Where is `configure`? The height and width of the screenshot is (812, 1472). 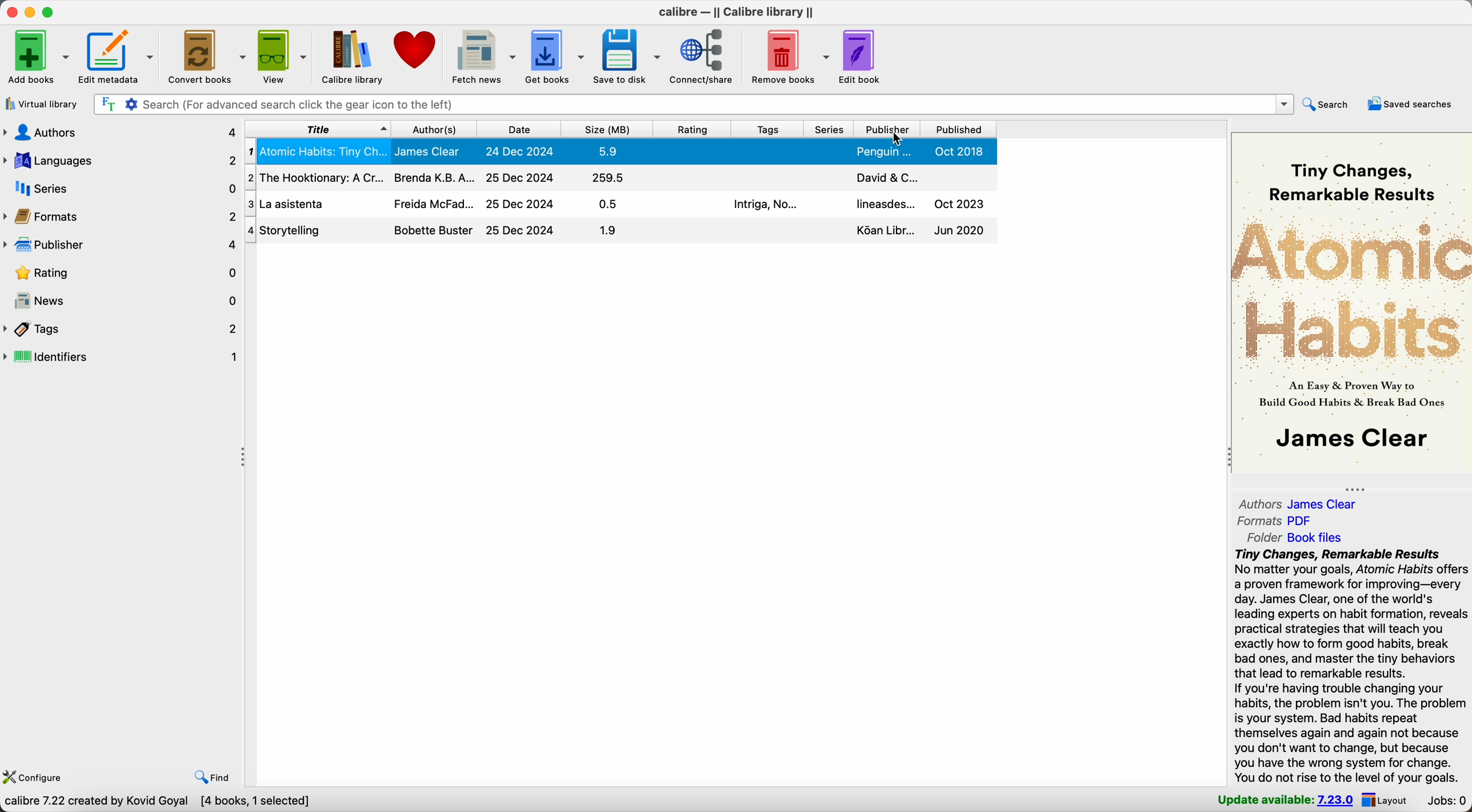 configure is located at coordinates (37, 775).